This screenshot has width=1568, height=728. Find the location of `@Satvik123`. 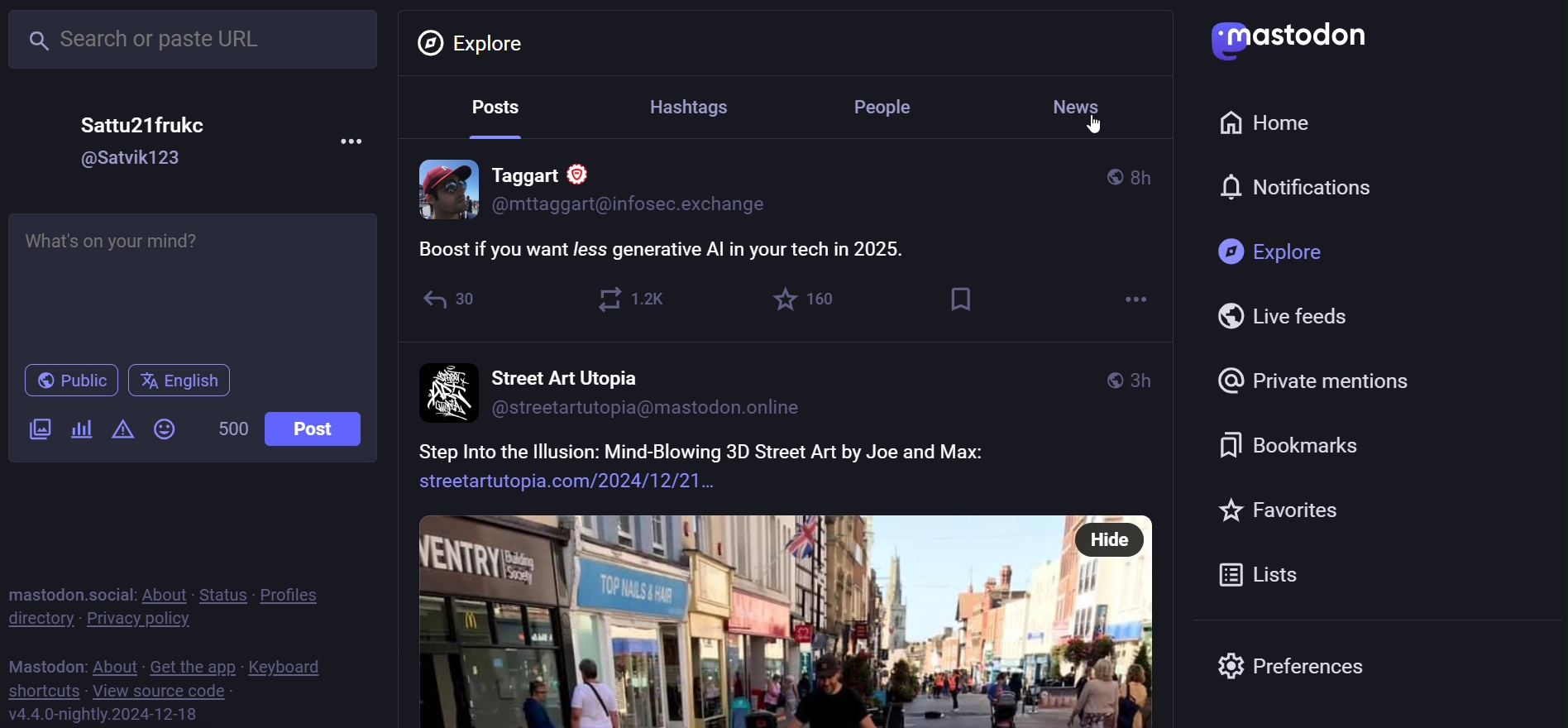

@Satvik123 is located at coordinates (142, 161).